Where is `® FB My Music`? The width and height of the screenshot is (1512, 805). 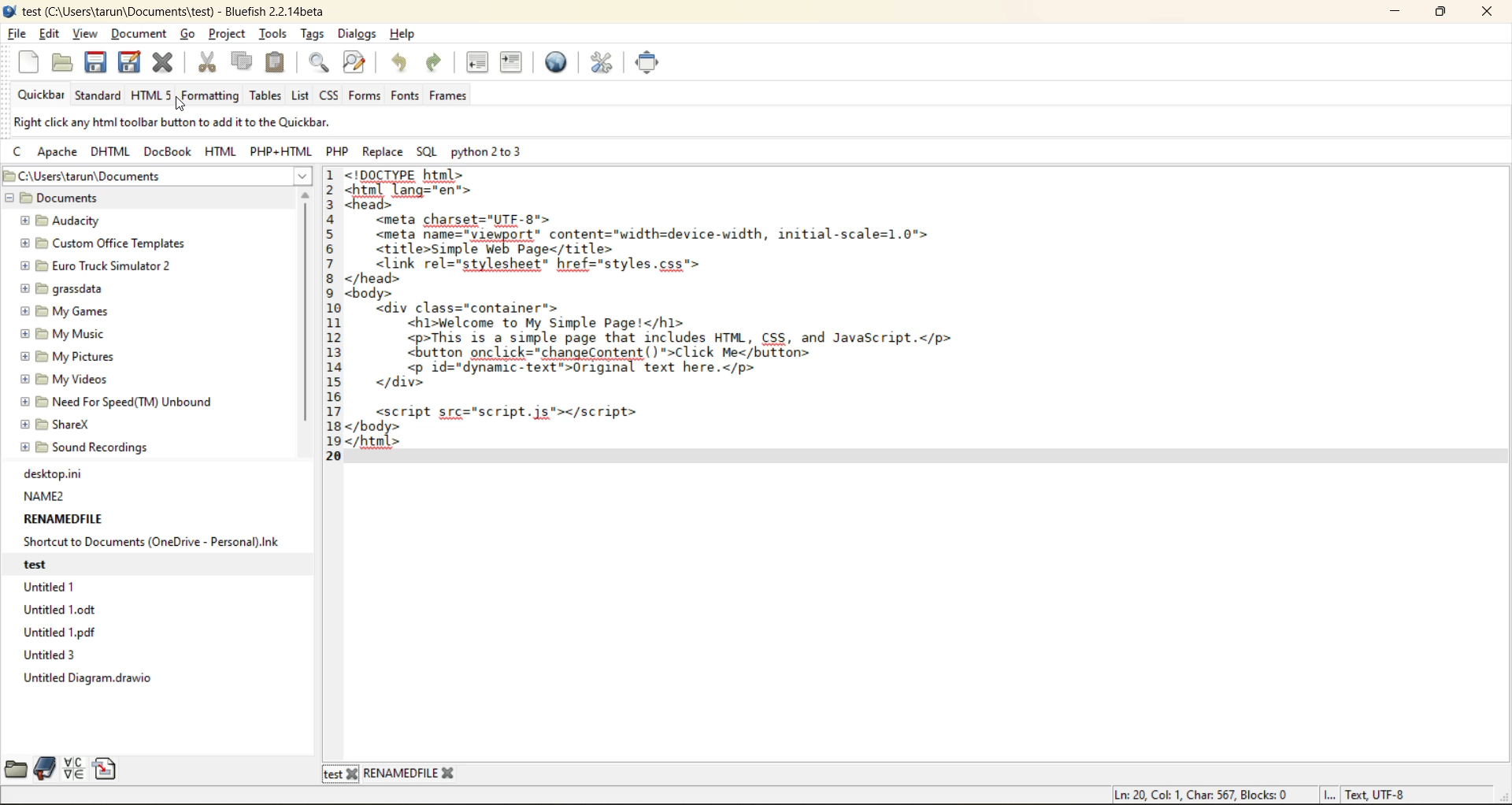 ® FB My Music is located at coordinates (64, 334).